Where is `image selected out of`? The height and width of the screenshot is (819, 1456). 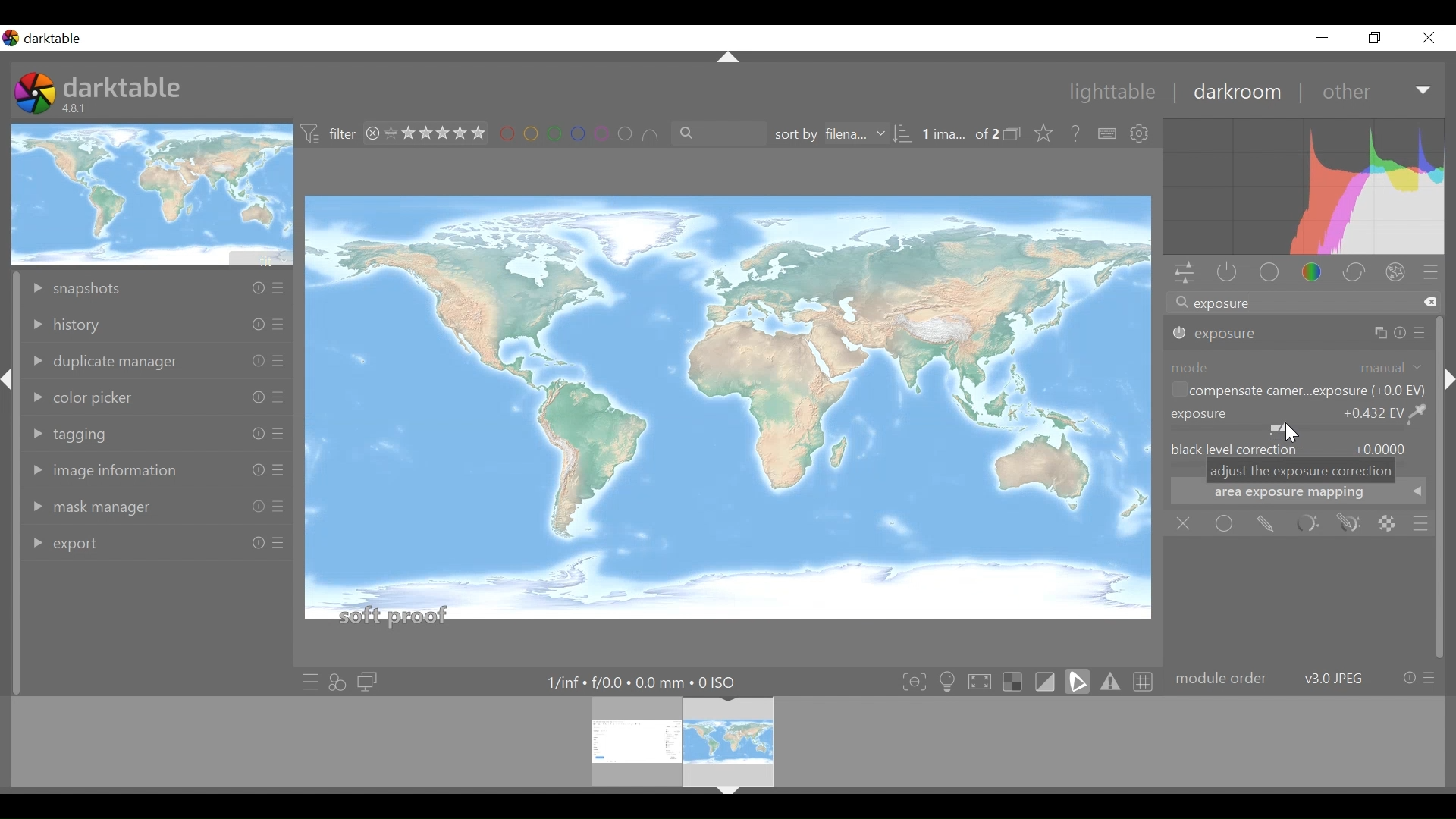 image selected out of is located at coordinates (959, 135).